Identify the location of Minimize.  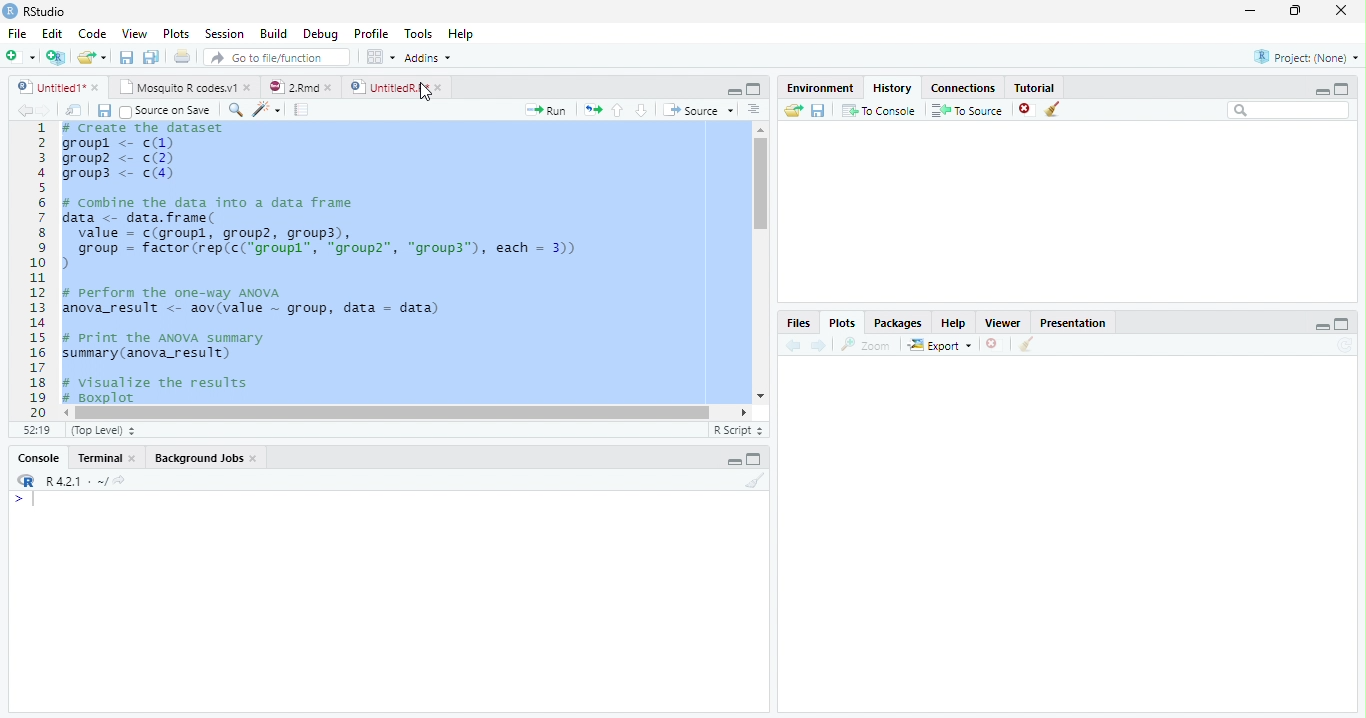
(731, 90).